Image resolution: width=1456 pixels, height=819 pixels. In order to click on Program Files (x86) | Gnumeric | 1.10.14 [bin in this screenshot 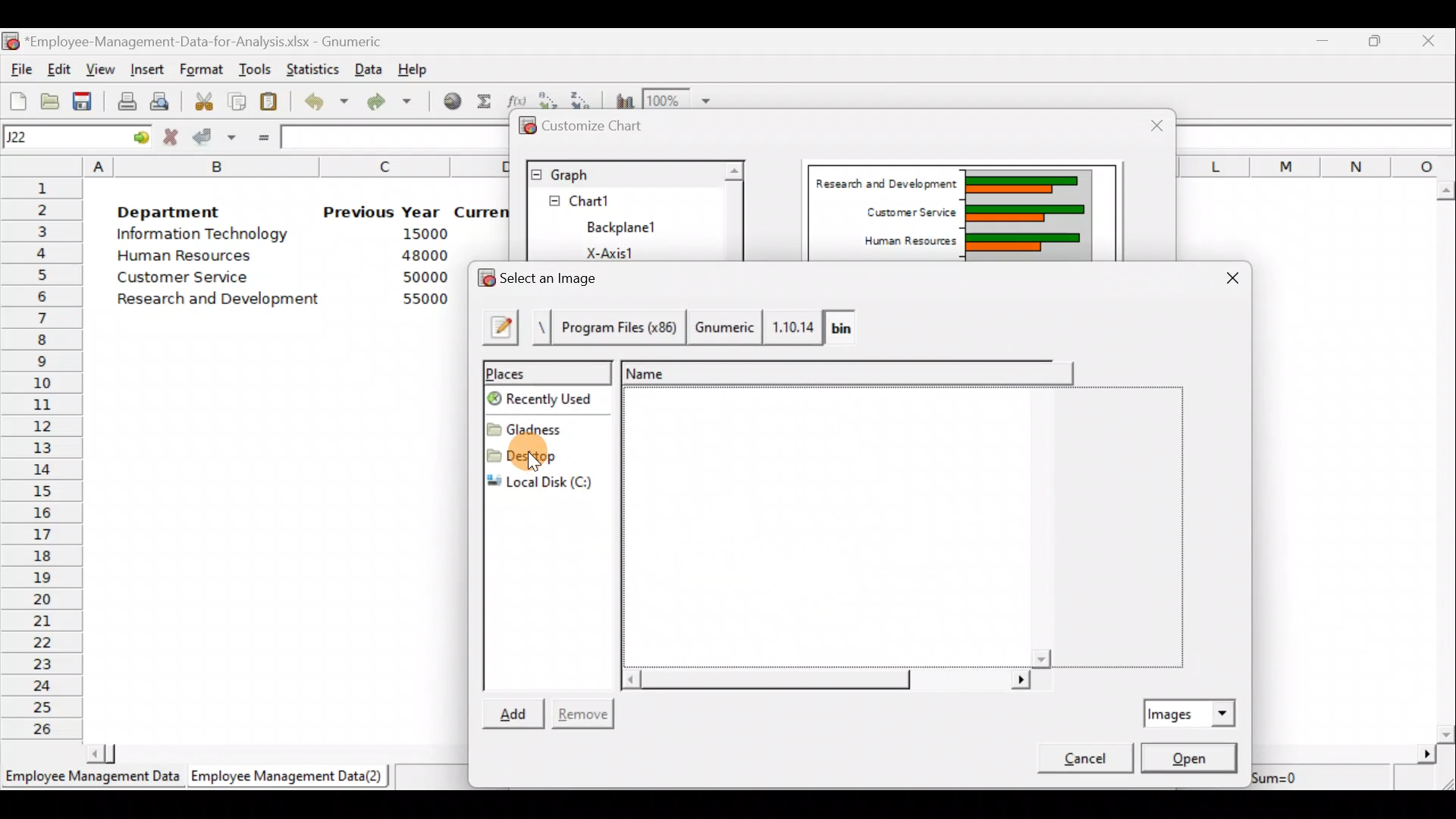, I will do `click(707, 326)`.